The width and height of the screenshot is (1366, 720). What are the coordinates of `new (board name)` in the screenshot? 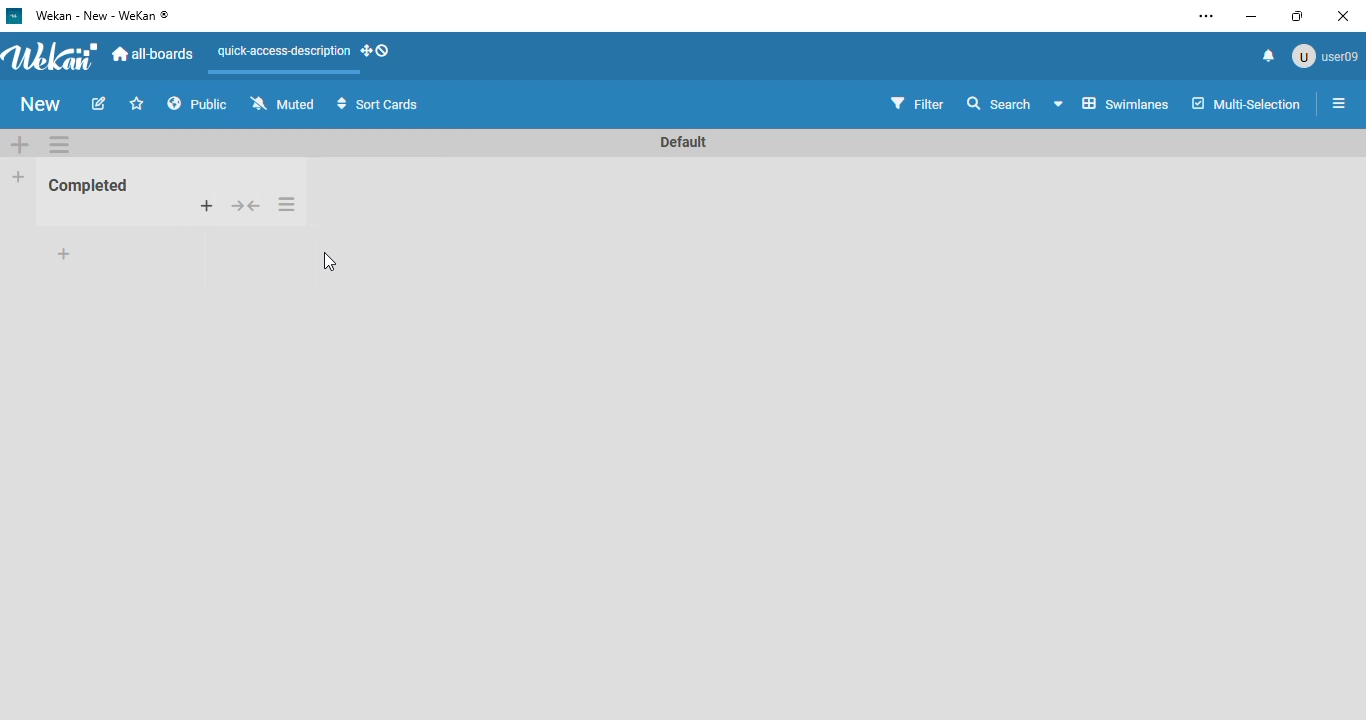 It's located at (41, 104).